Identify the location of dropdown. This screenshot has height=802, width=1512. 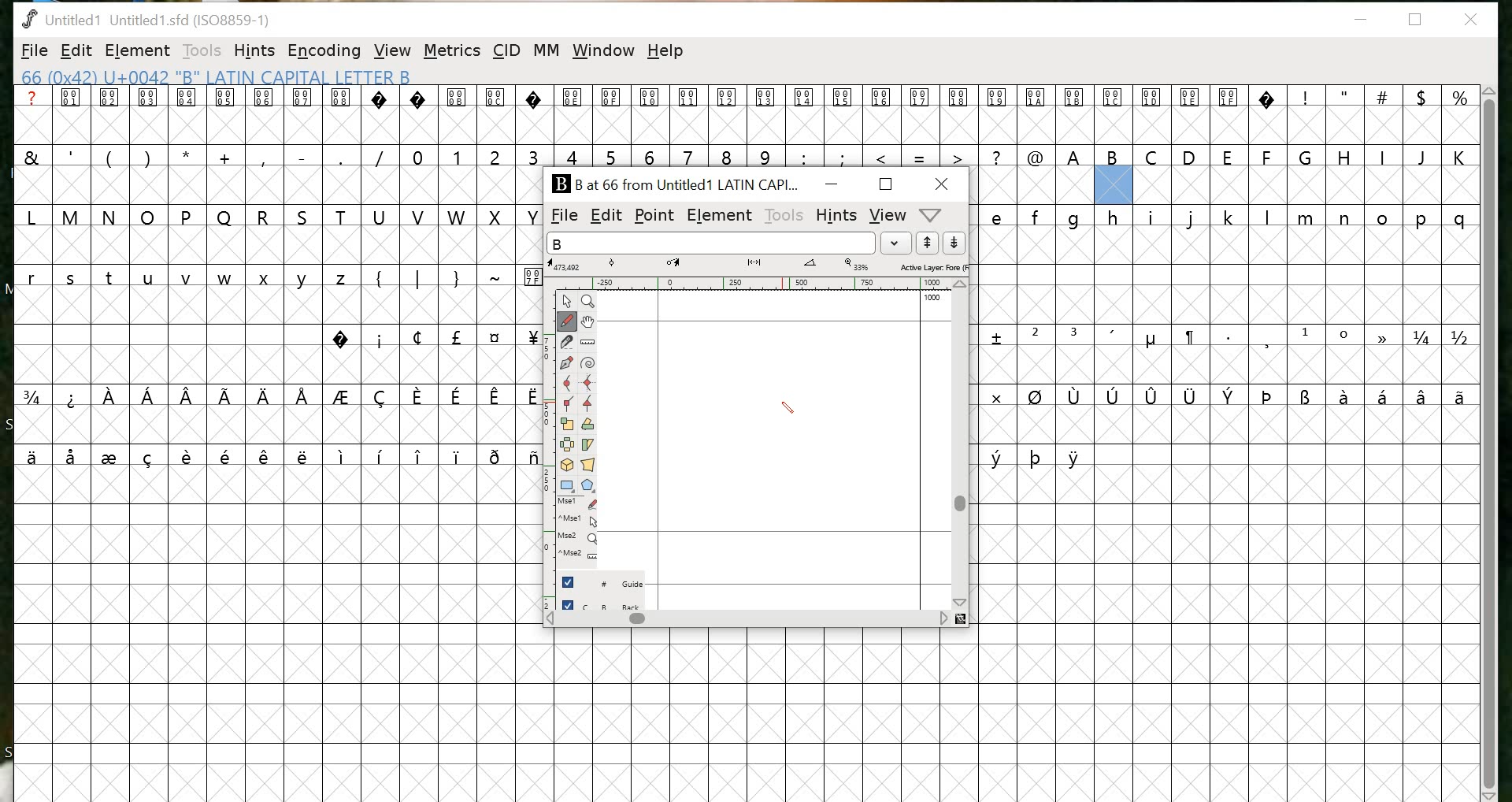
(896, 243).